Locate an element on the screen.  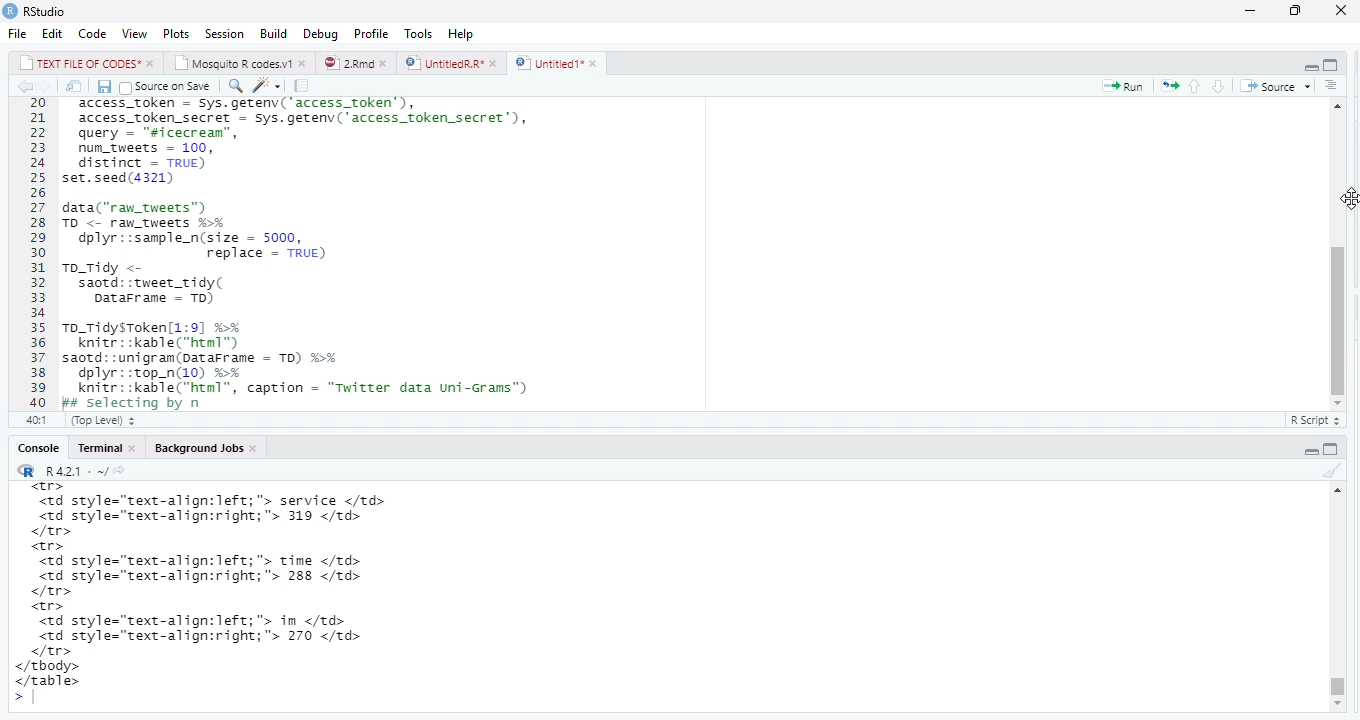
Source on save is located at coordinates (171, 86).